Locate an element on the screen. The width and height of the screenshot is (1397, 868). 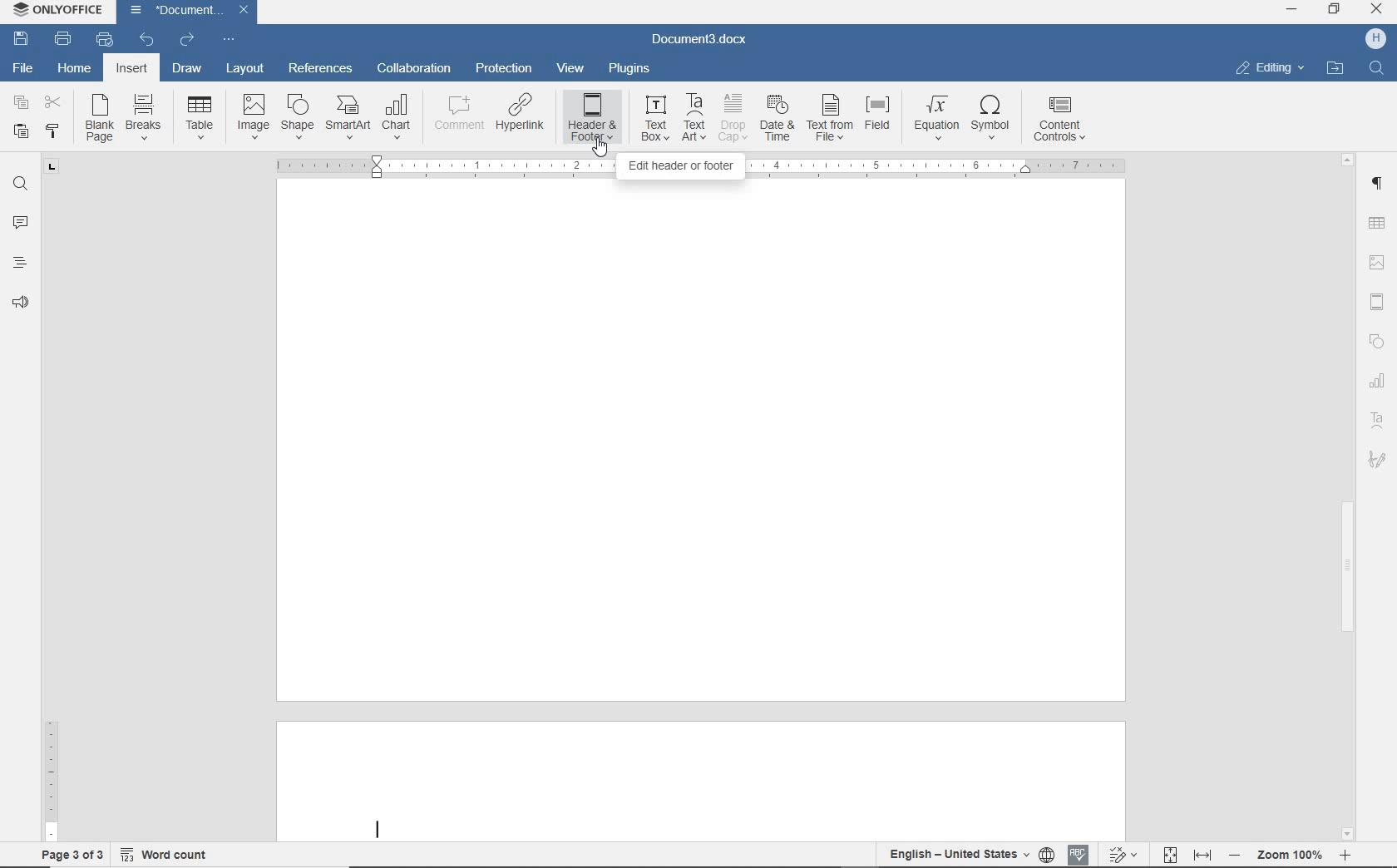
Text cursor is located at coordinates (378, 828).